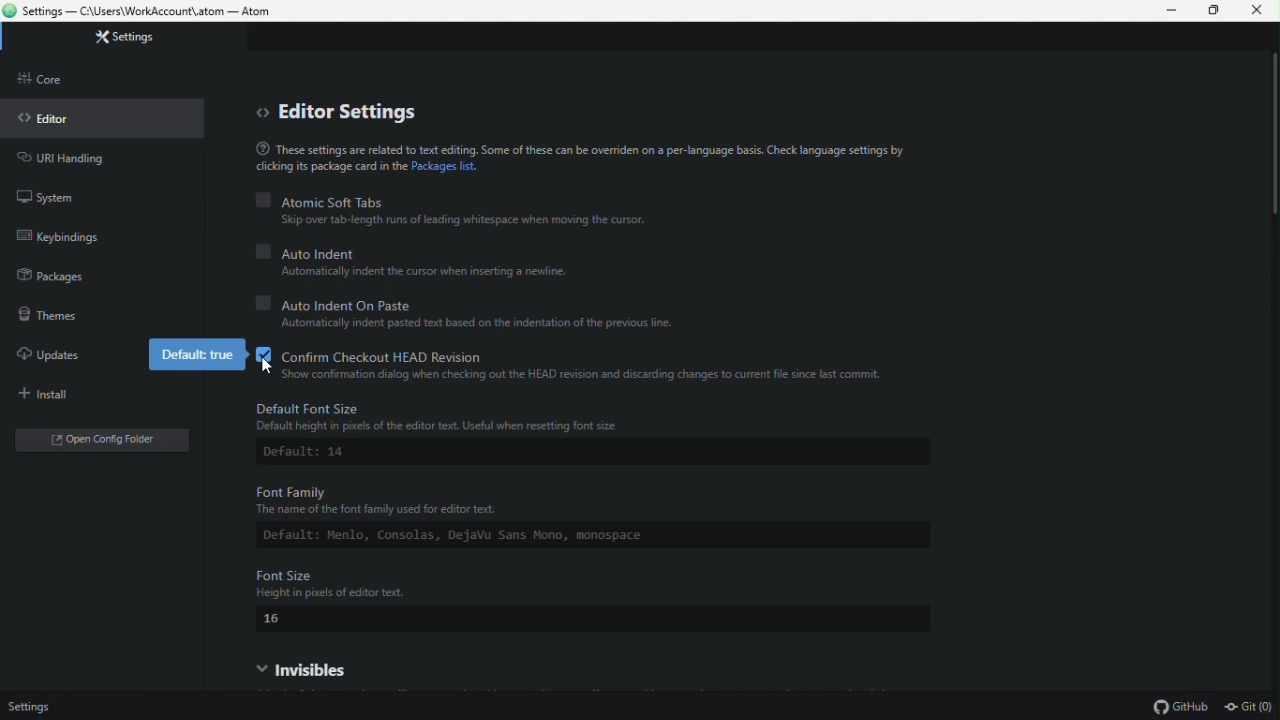  I want to click on Skip over tab-length runs of leading whitespace when moving the cursor., so click(457, 221).